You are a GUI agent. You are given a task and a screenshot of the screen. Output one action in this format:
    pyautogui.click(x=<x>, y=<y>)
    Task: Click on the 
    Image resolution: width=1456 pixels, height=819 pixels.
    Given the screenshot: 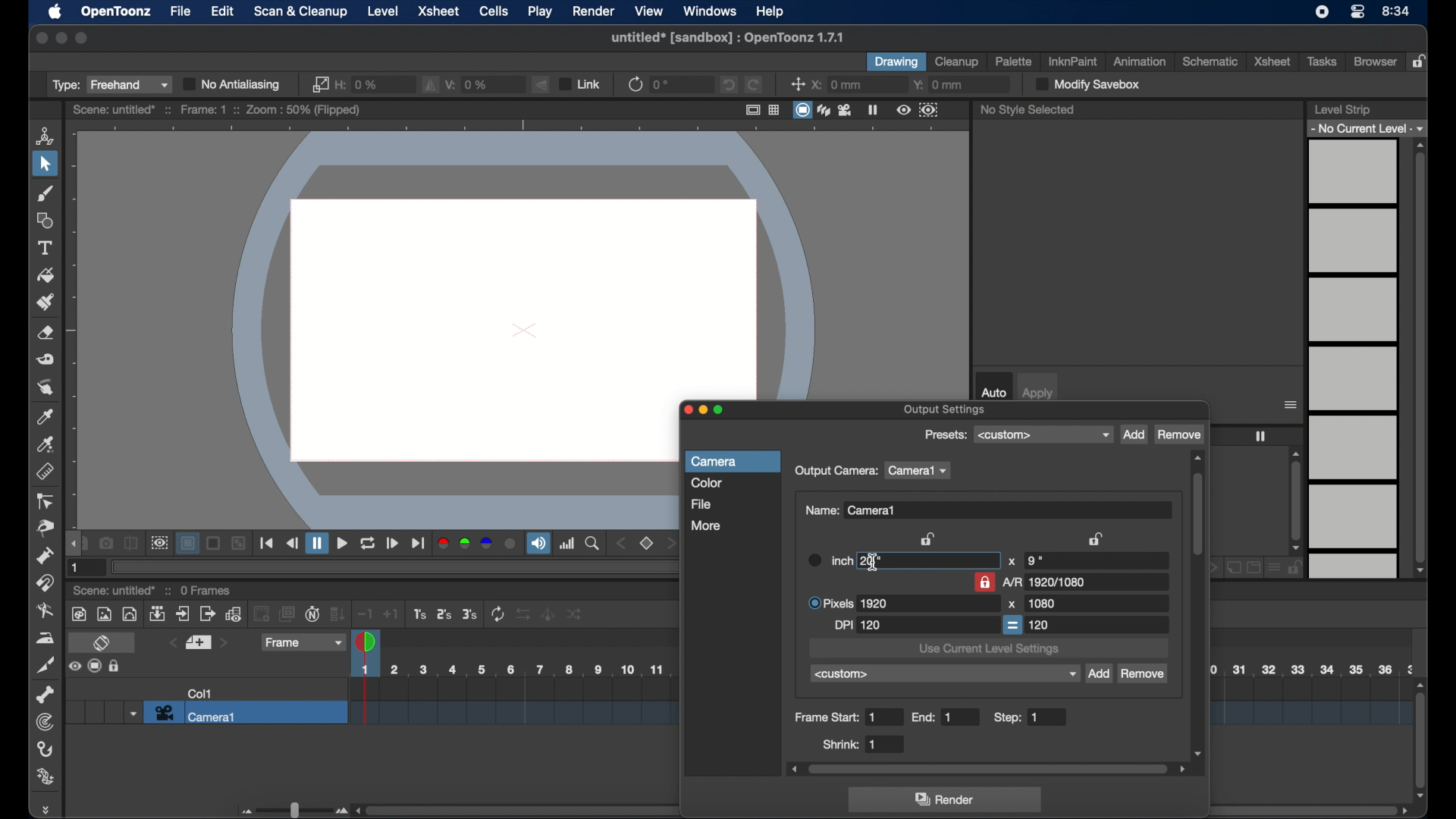 What is the action you would take?
    pyautogui.click(x=291, y=544)
    